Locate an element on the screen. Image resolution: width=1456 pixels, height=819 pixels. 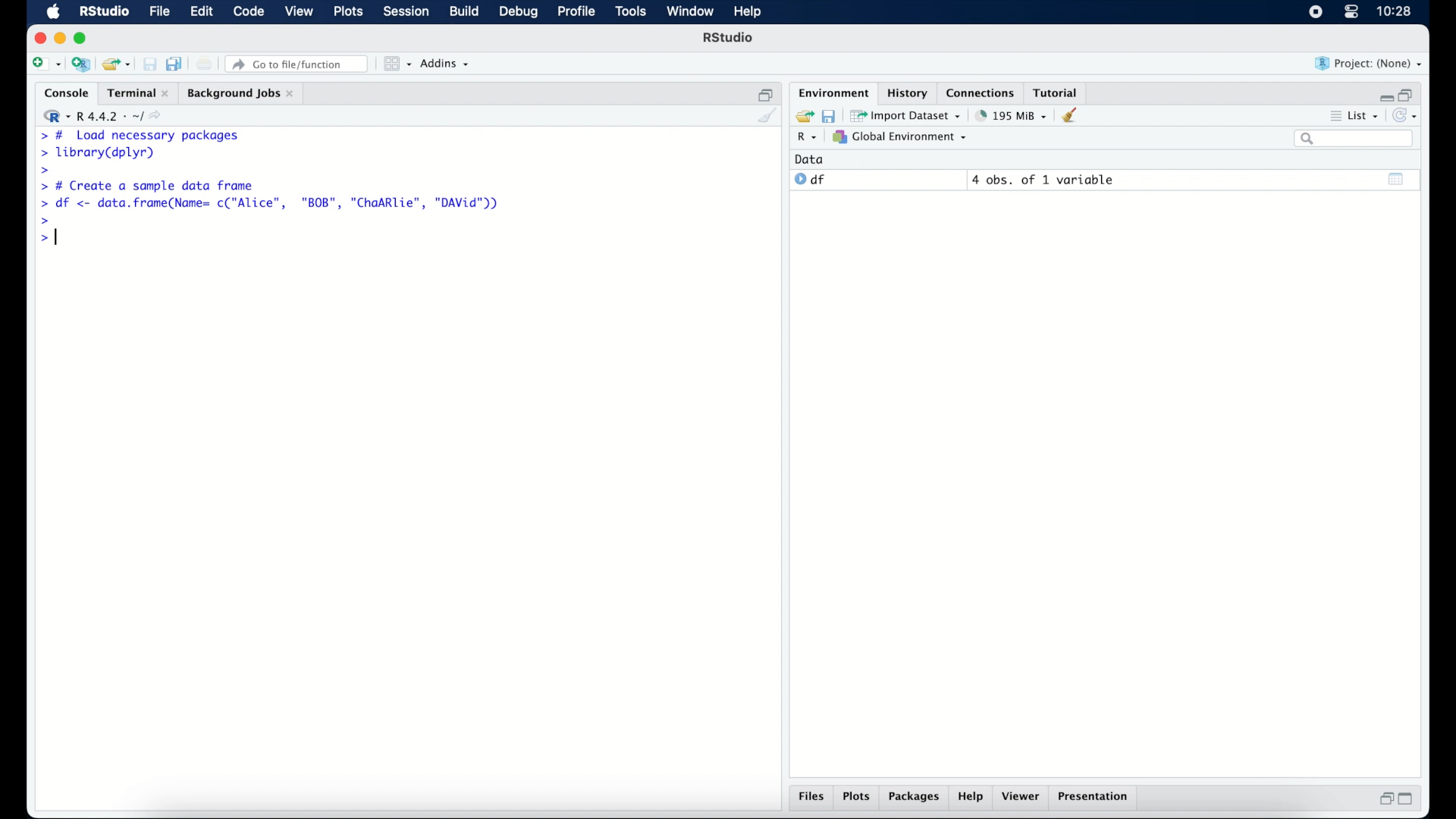
load workspace is located at coordinates (802, 115).